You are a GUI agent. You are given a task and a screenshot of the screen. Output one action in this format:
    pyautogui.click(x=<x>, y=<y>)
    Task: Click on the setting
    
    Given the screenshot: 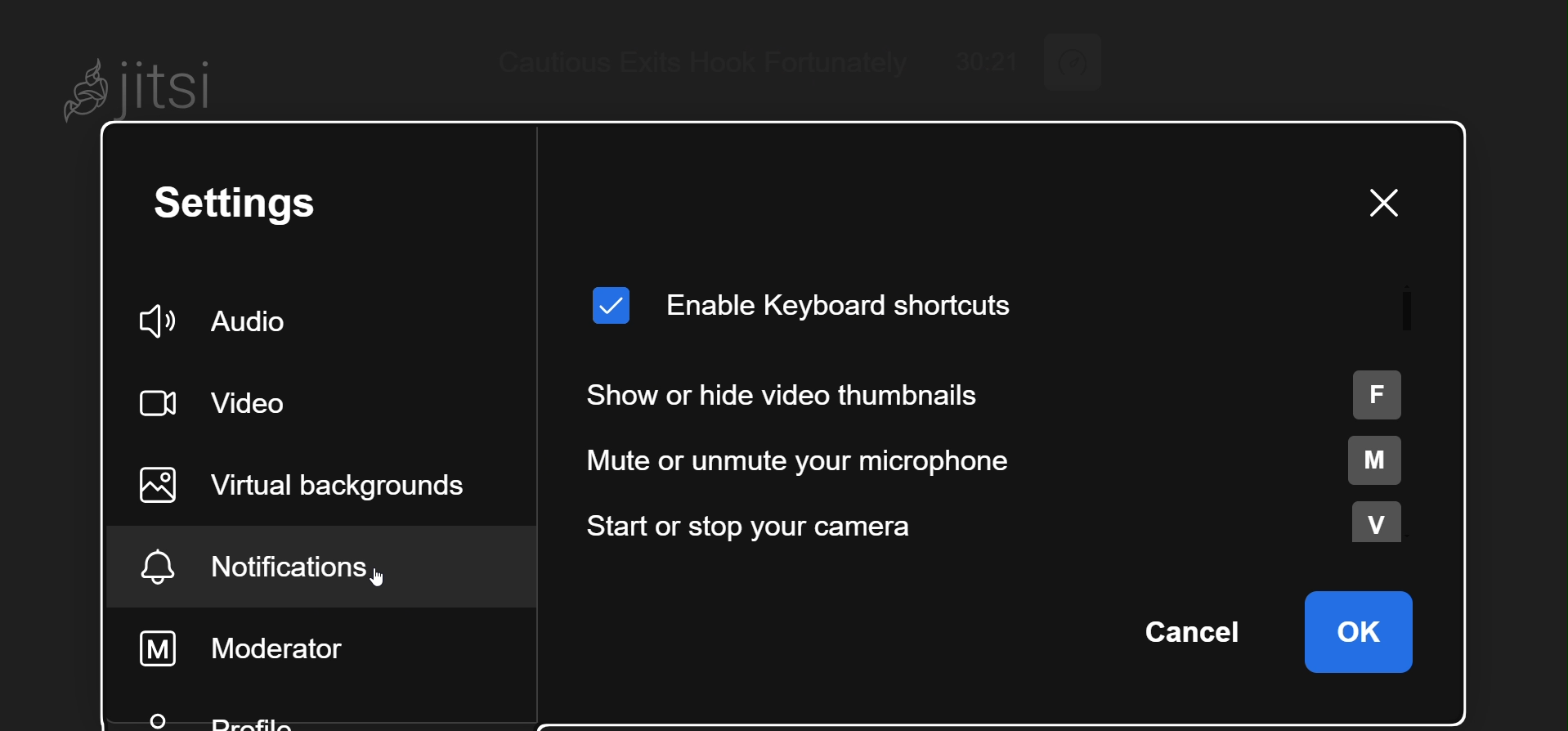 What is the action you would take?
    pyautogui.click(x=246, y=208)
    